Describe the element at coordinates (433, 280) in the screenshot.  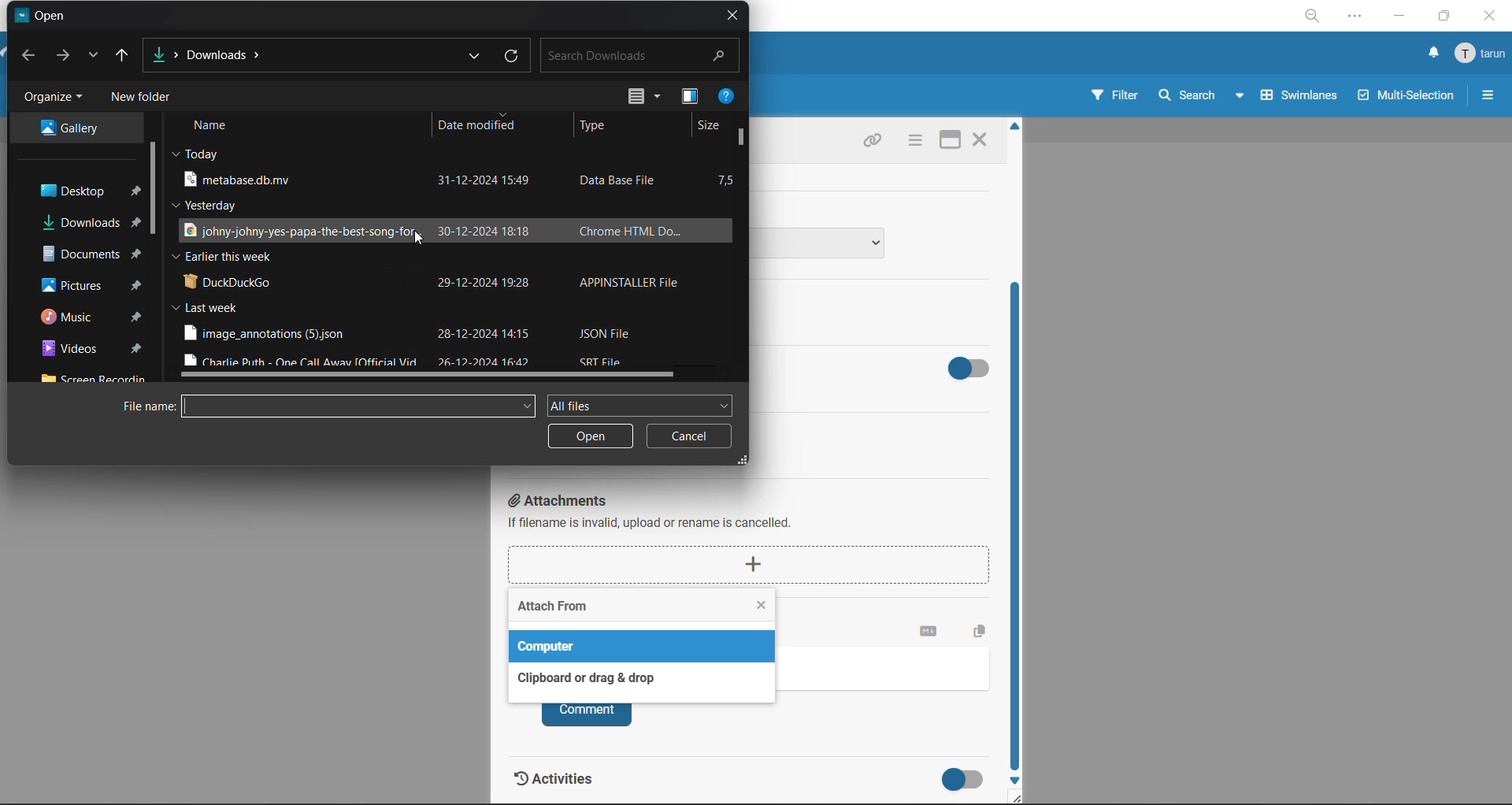
I see `file with date and type` at that location.